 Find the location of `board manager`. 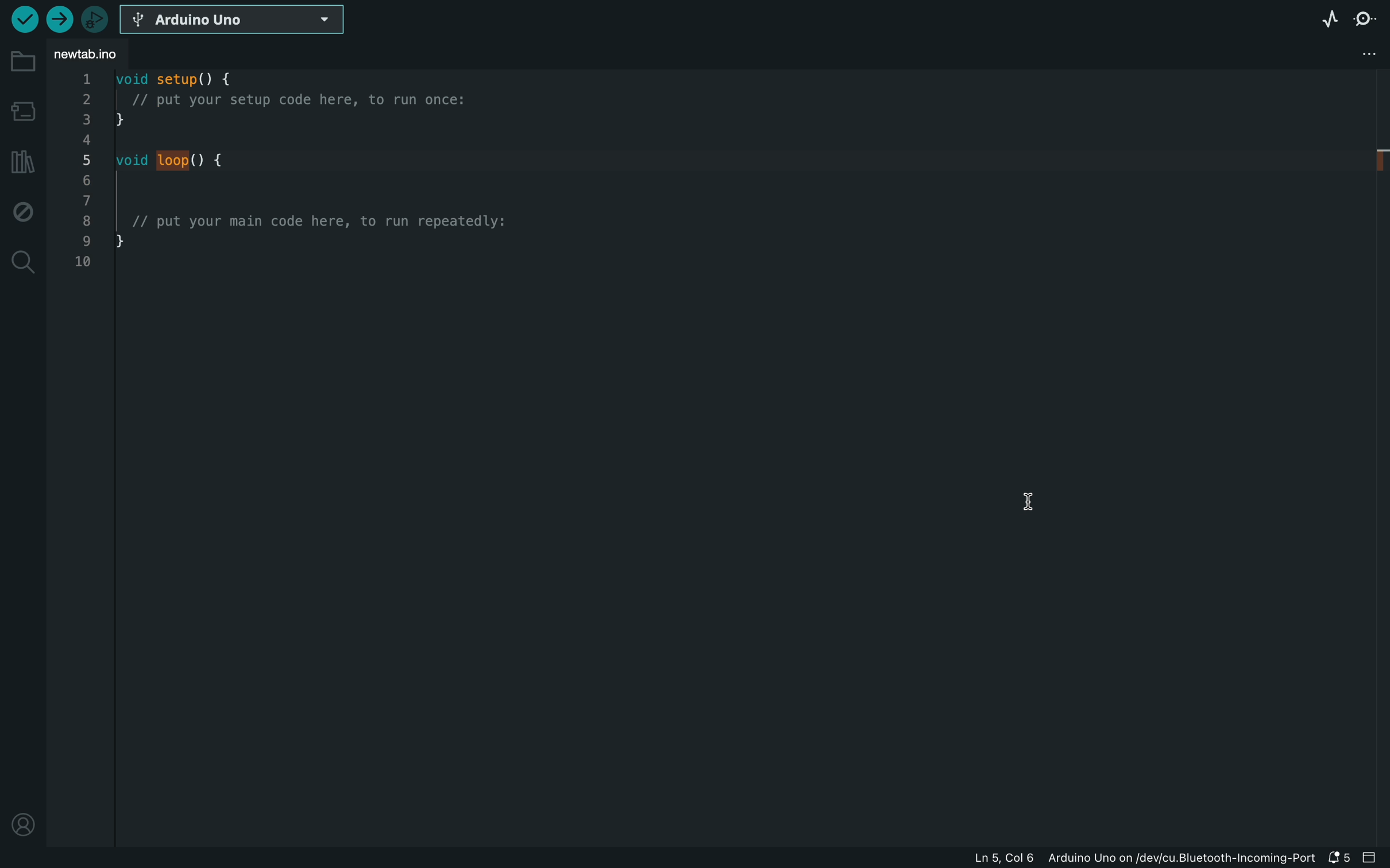

board manager is located at coordinates (23, 109).